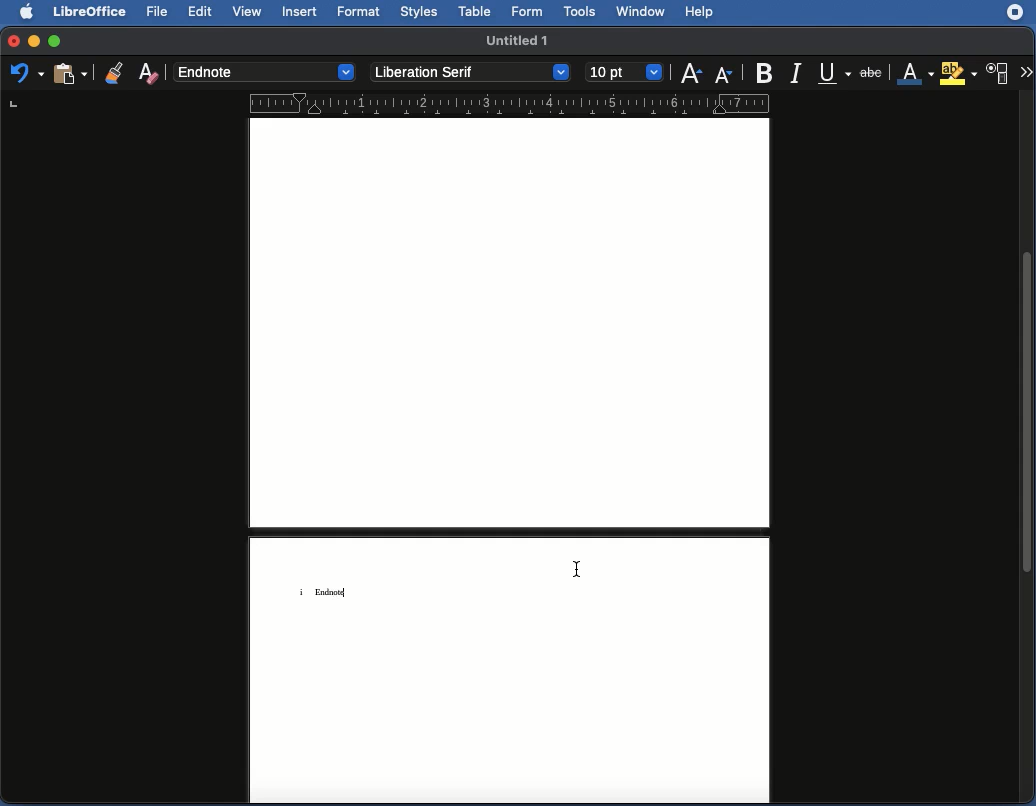 The width and height of the screenshot is (1036, 806). Describe the element at coordinates (199, 11) in the screenshot. I see `Edit` at that location.